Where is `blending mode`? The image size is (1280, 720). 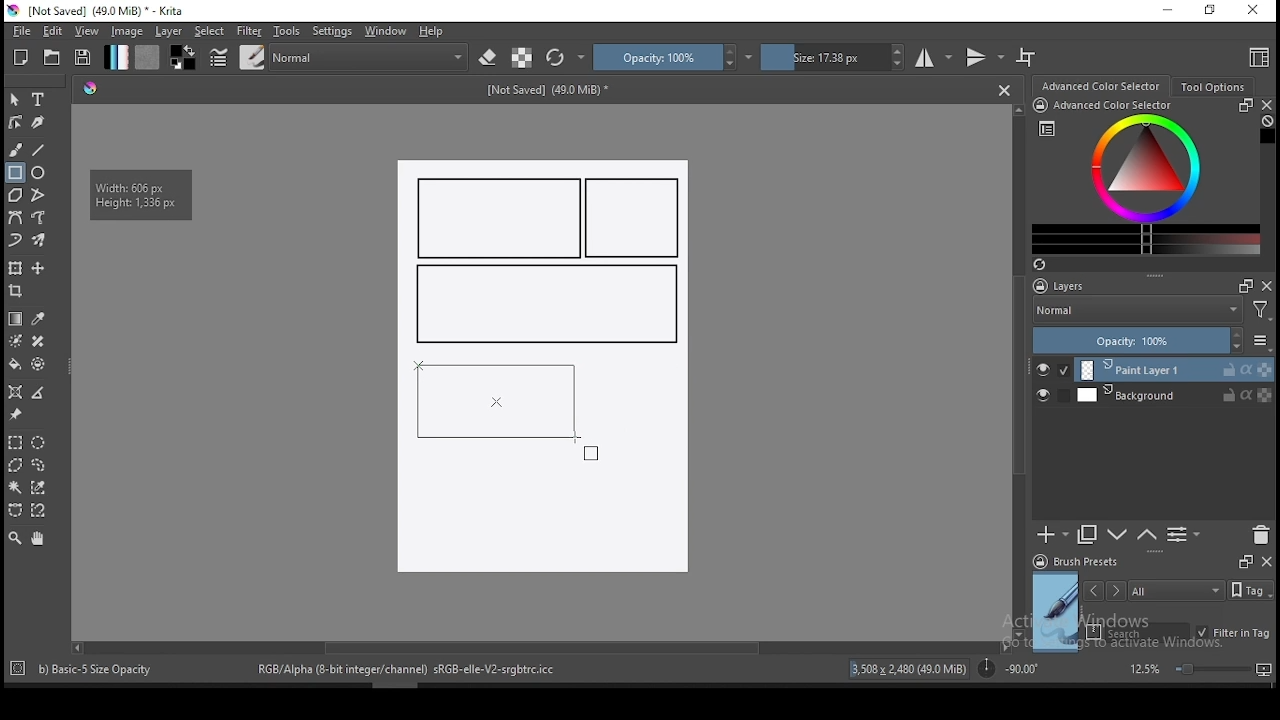
blending mode is located at coordinates (1136, 312).